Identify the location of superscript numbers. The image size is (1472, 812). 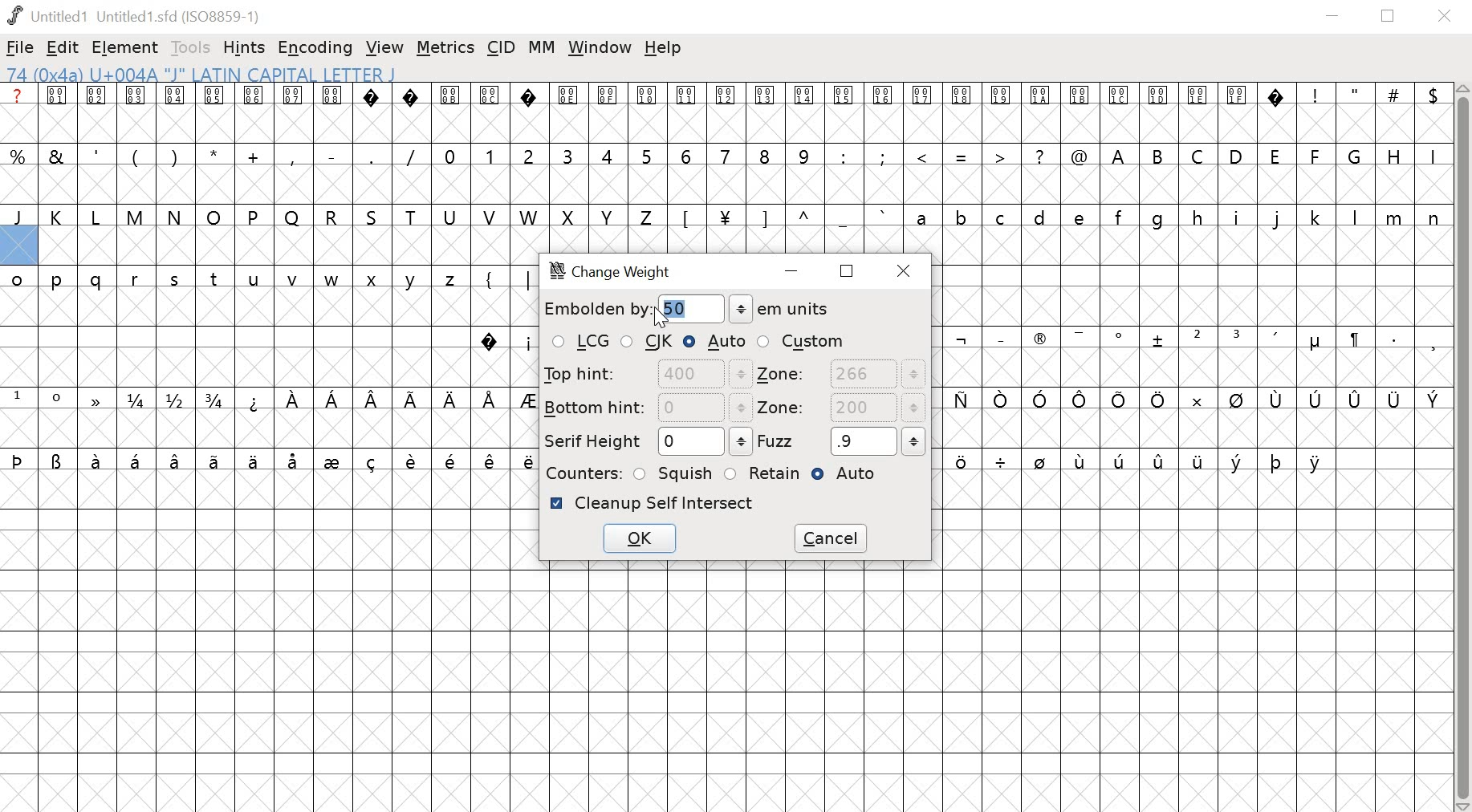
(38, 397).